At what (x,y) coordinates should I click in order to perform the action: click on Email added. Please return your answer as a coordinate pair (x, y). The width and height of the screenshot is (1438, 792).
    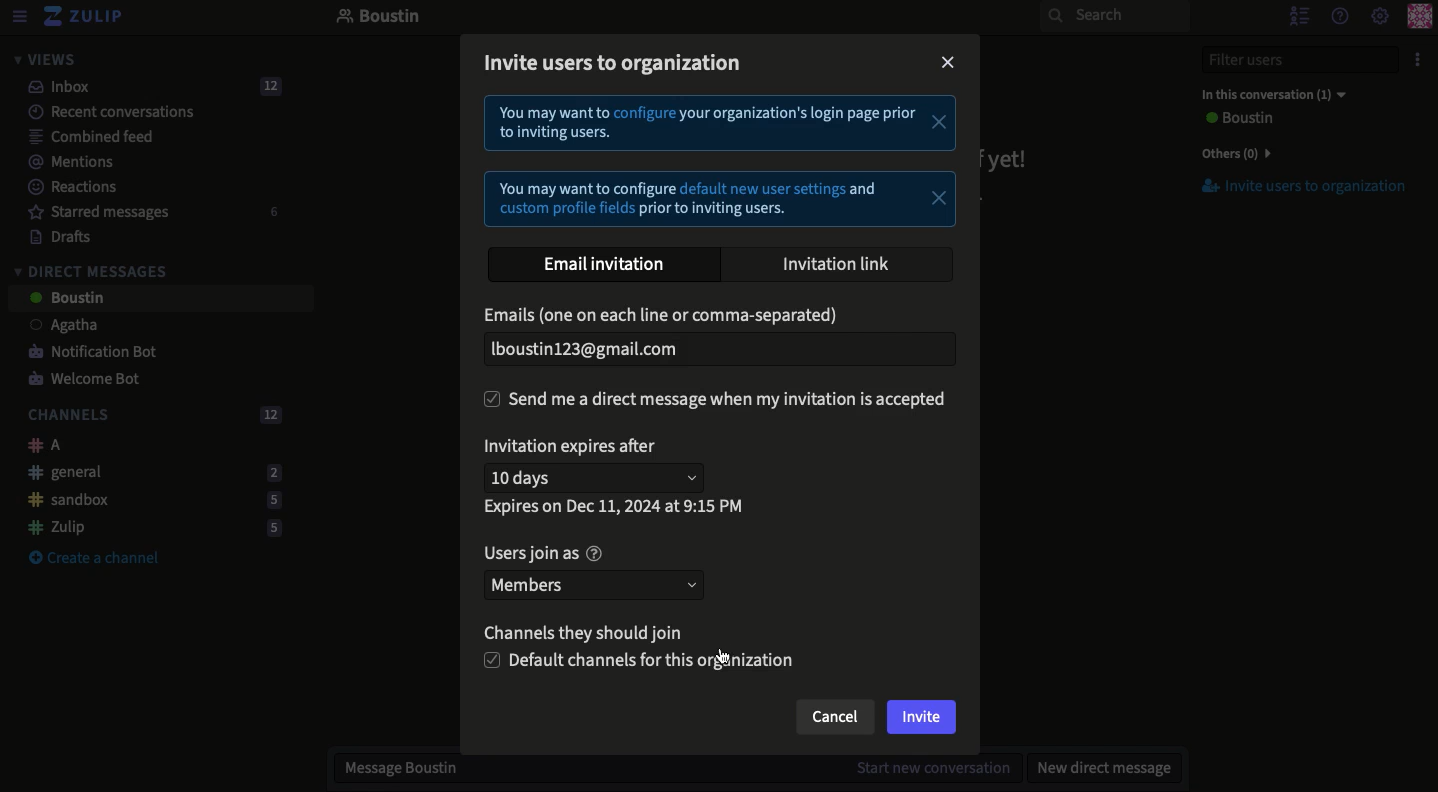
    Looking at the image, I should click on (722, 345).